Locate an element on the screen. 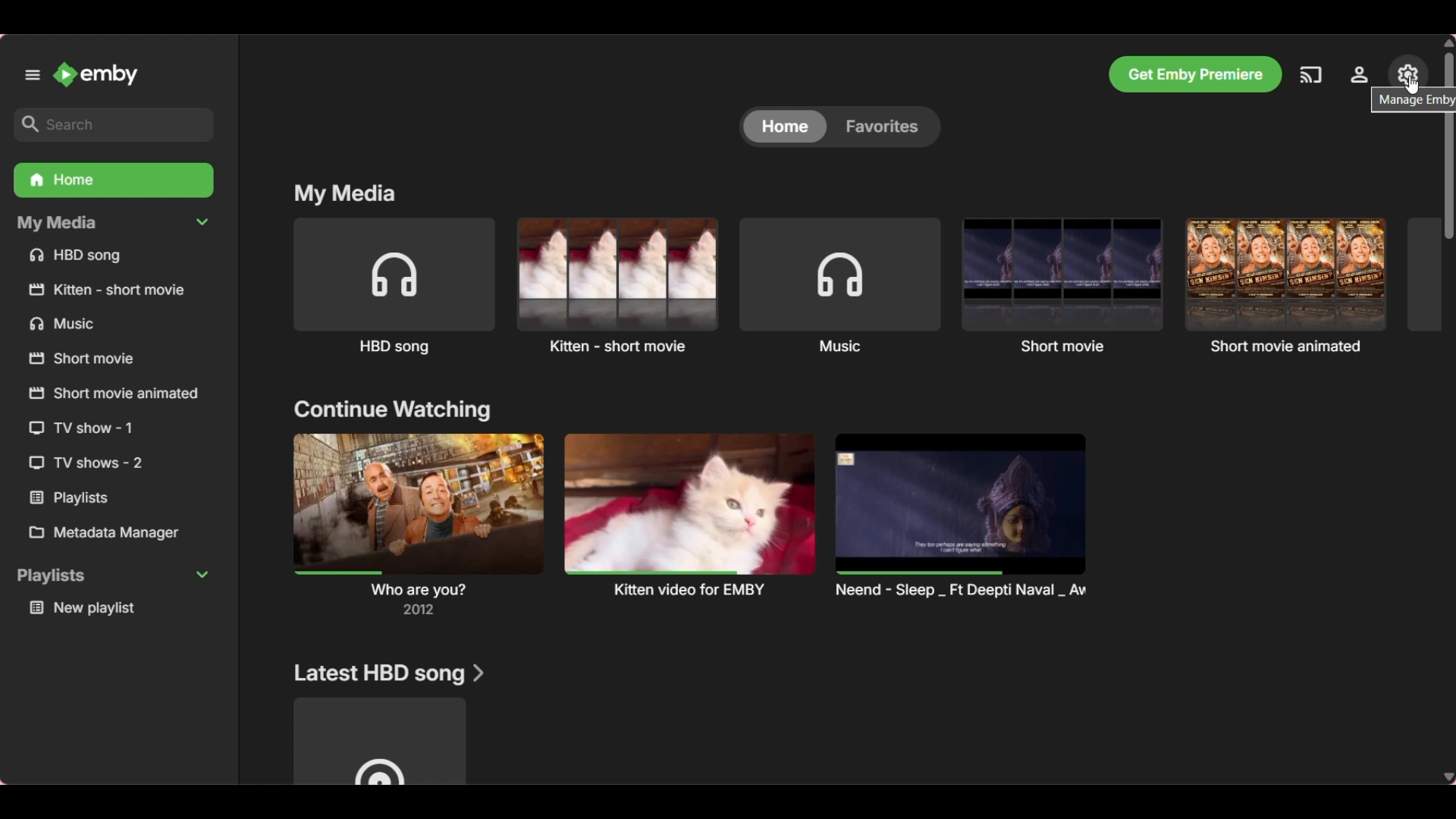 The image size is (1456, 819). Media under Playlists is located at coordinates (111, 609).